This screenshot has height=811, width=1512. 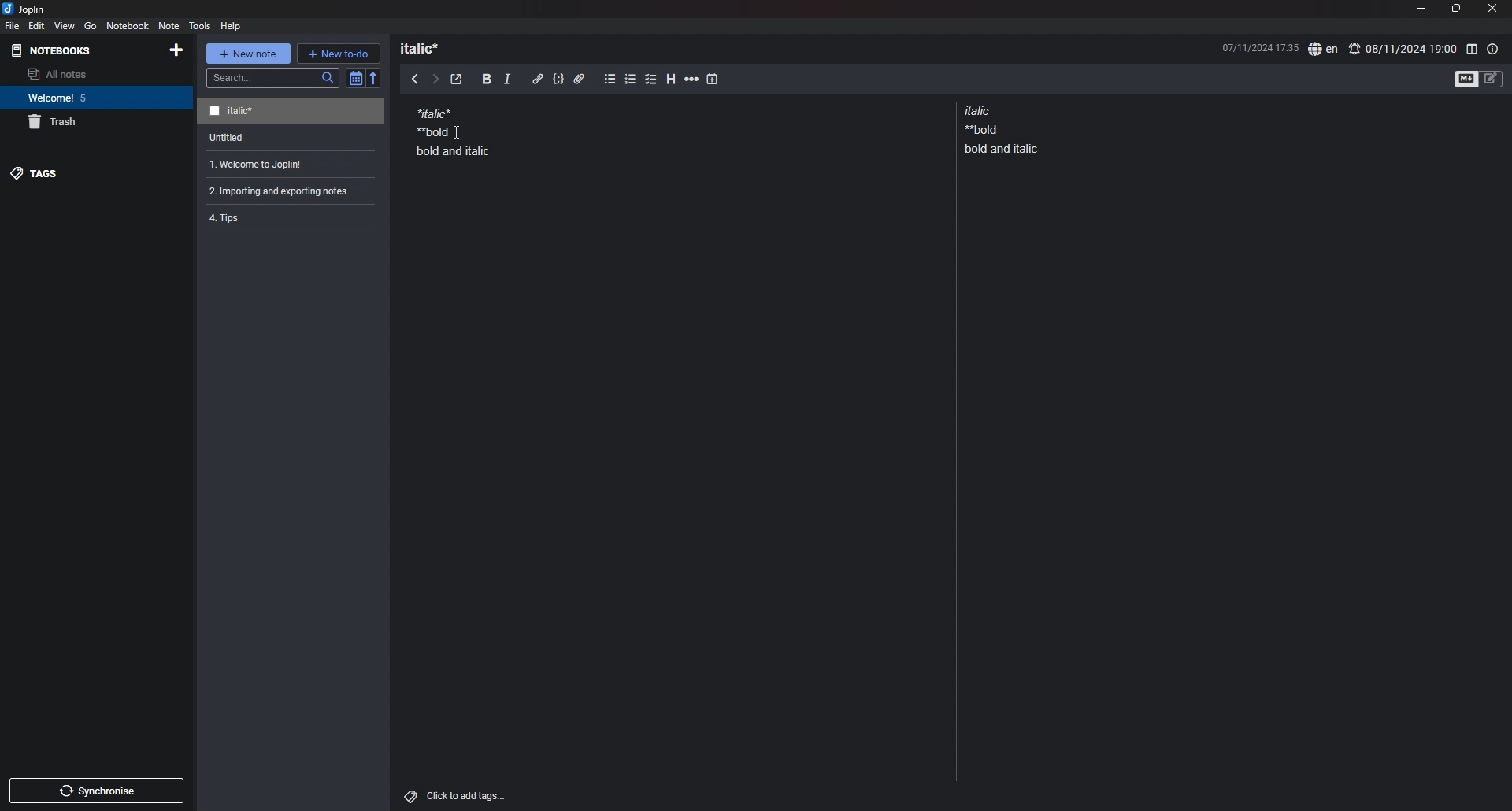 What do you see at coordinates (247, 54) in the screenshot?
I see `new note` at bounding box center [247, 54].